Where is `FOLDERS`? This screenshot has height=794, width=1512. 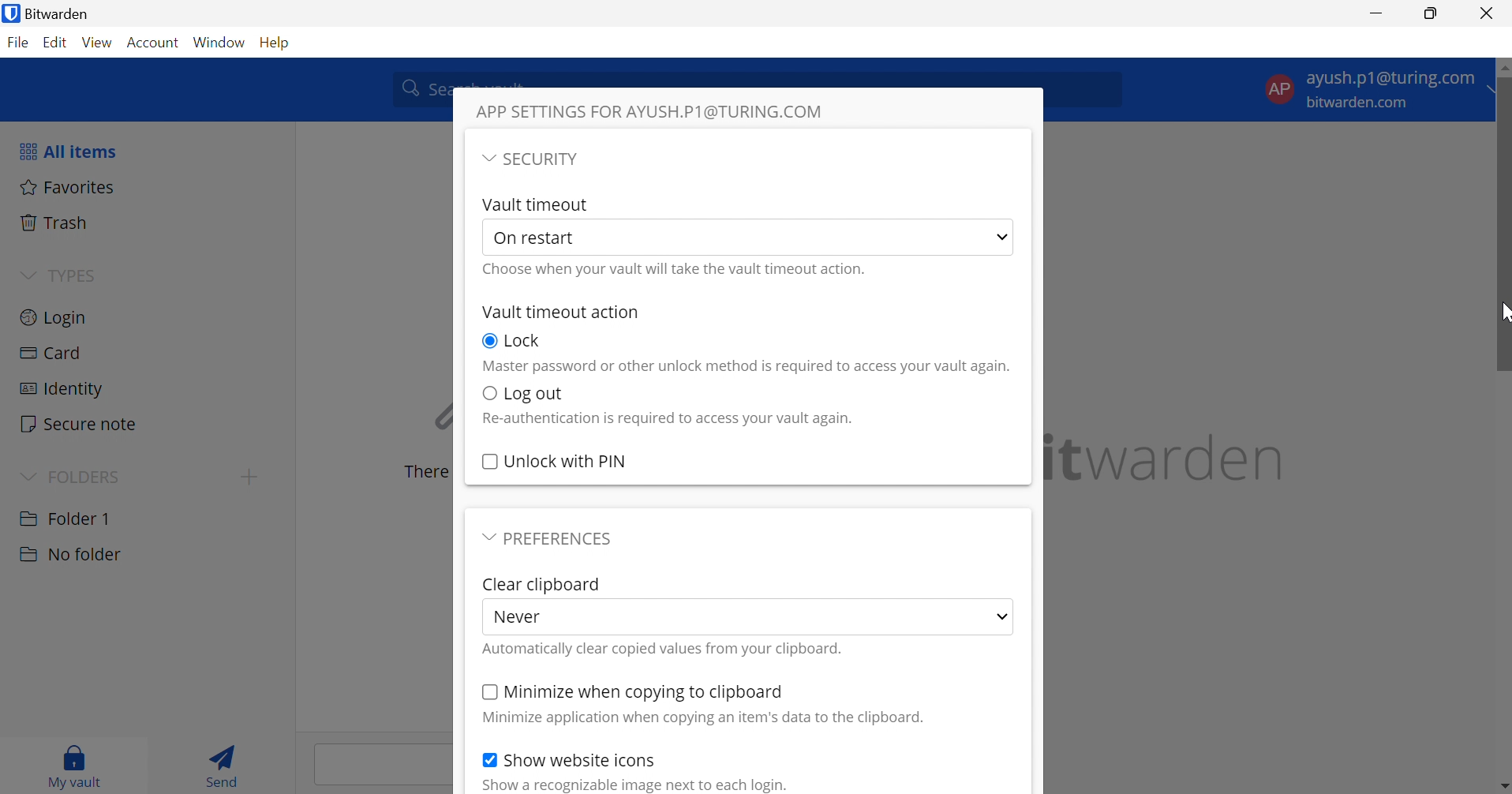
FOLDERS is located at coordinates (89, 475).